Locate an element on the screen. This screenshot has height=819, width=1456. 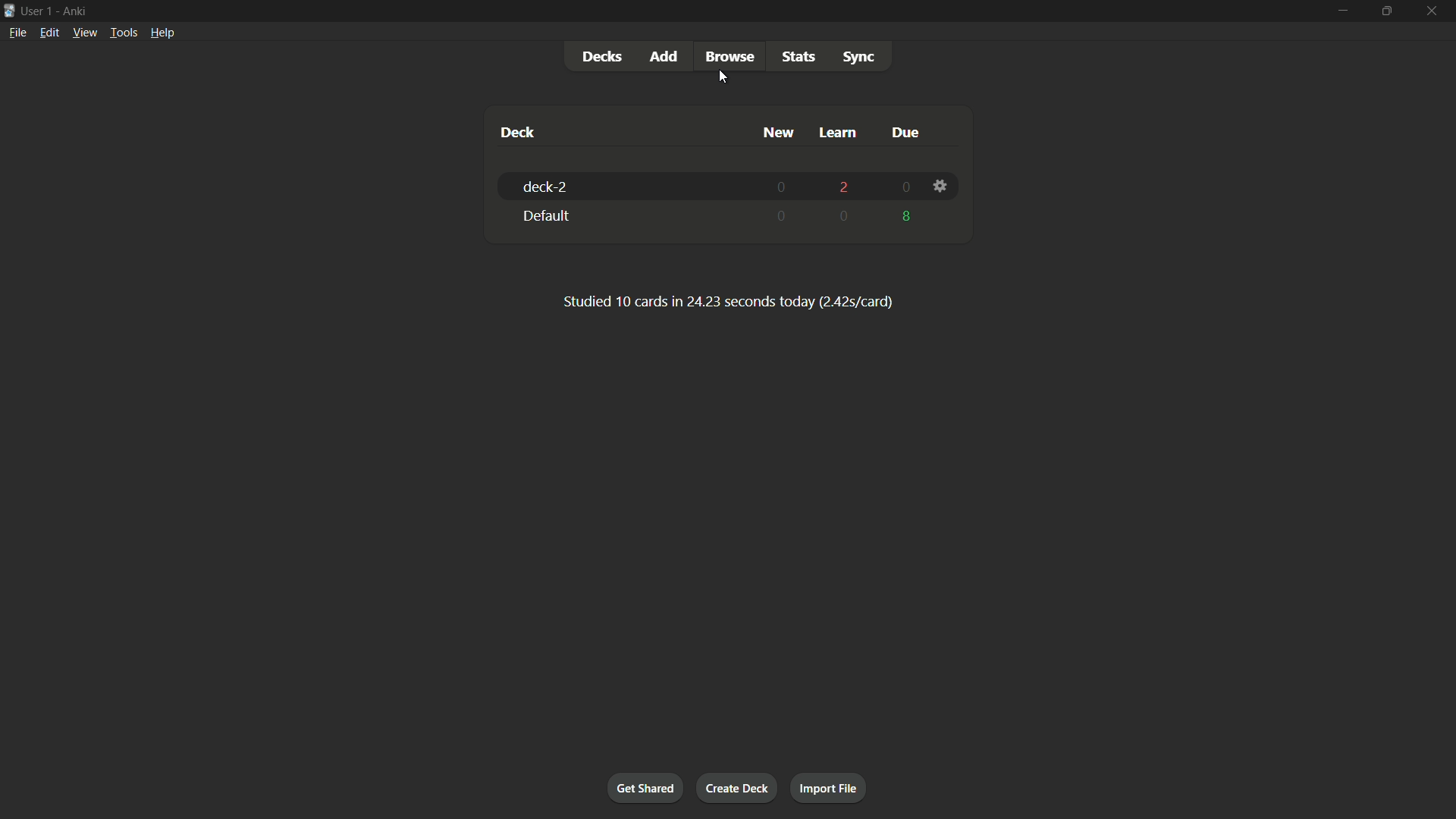
Settings is located at coordinates (940, 187).